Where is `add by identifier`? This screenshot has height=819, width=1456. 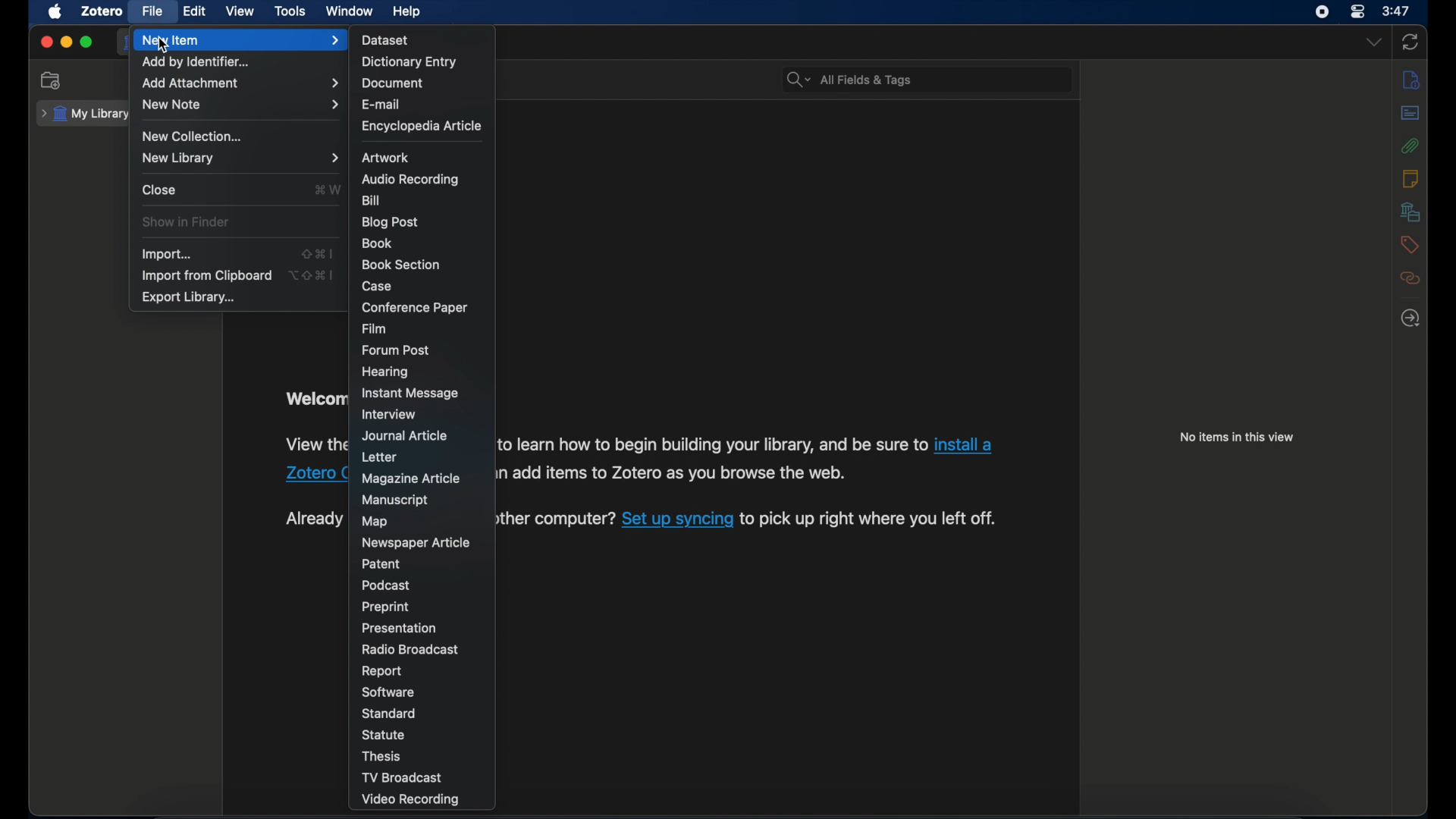
add by identifier is located at coordinates (199, 61).